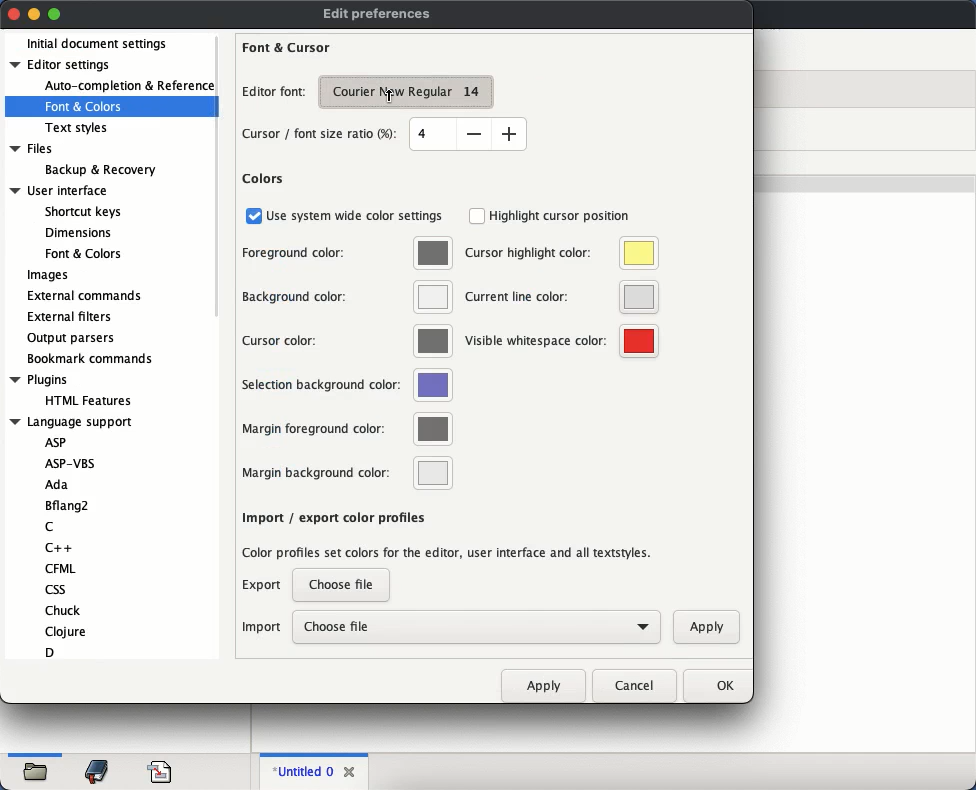 Image resolution: width=976 pixels, height=790 pixels. I want to click on c++, so click(61, 547).